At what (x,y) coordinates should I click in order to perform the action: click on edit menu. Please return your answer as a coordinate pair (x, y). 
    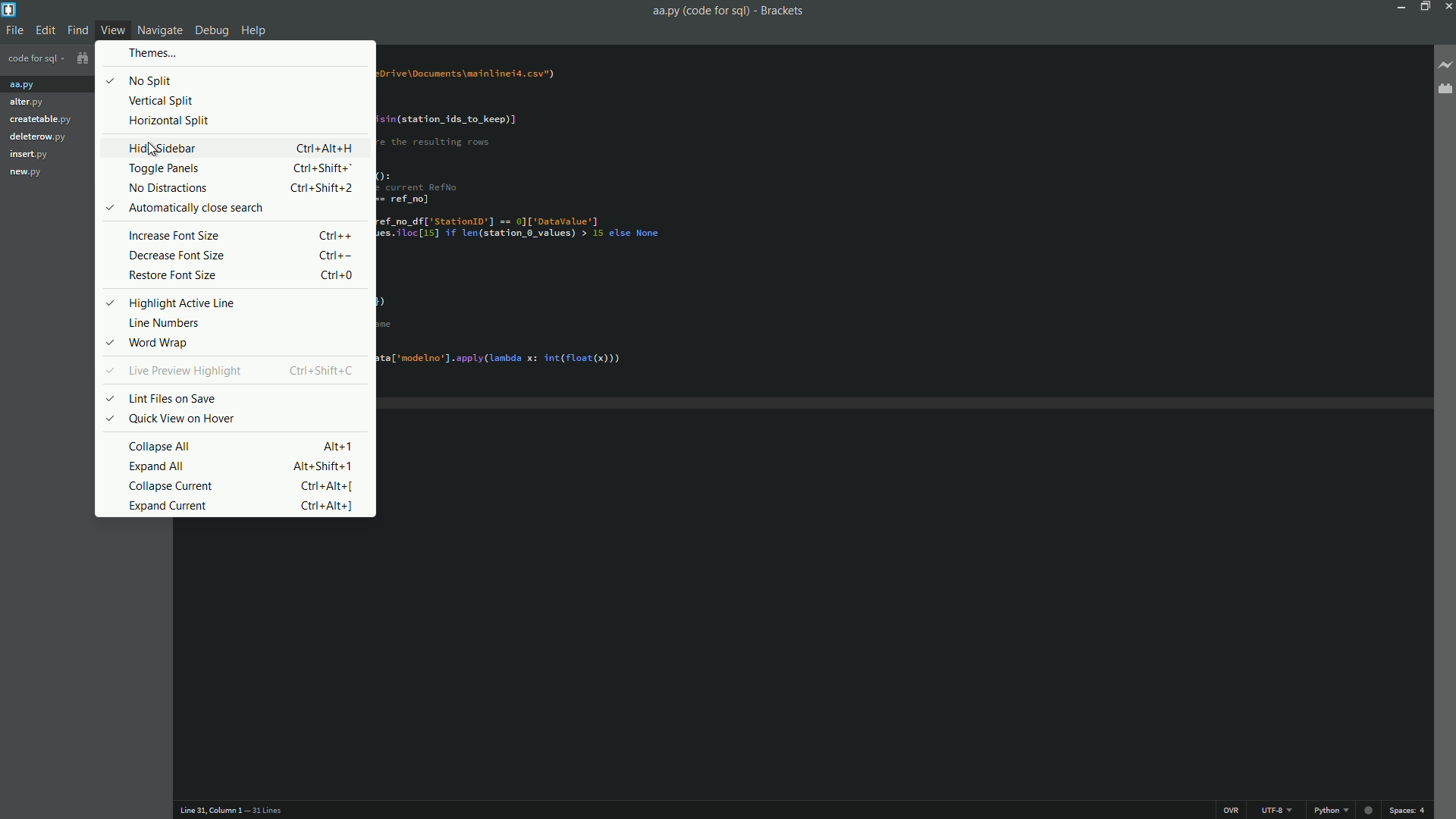
    Looking at the image, I should click on (45, 30).